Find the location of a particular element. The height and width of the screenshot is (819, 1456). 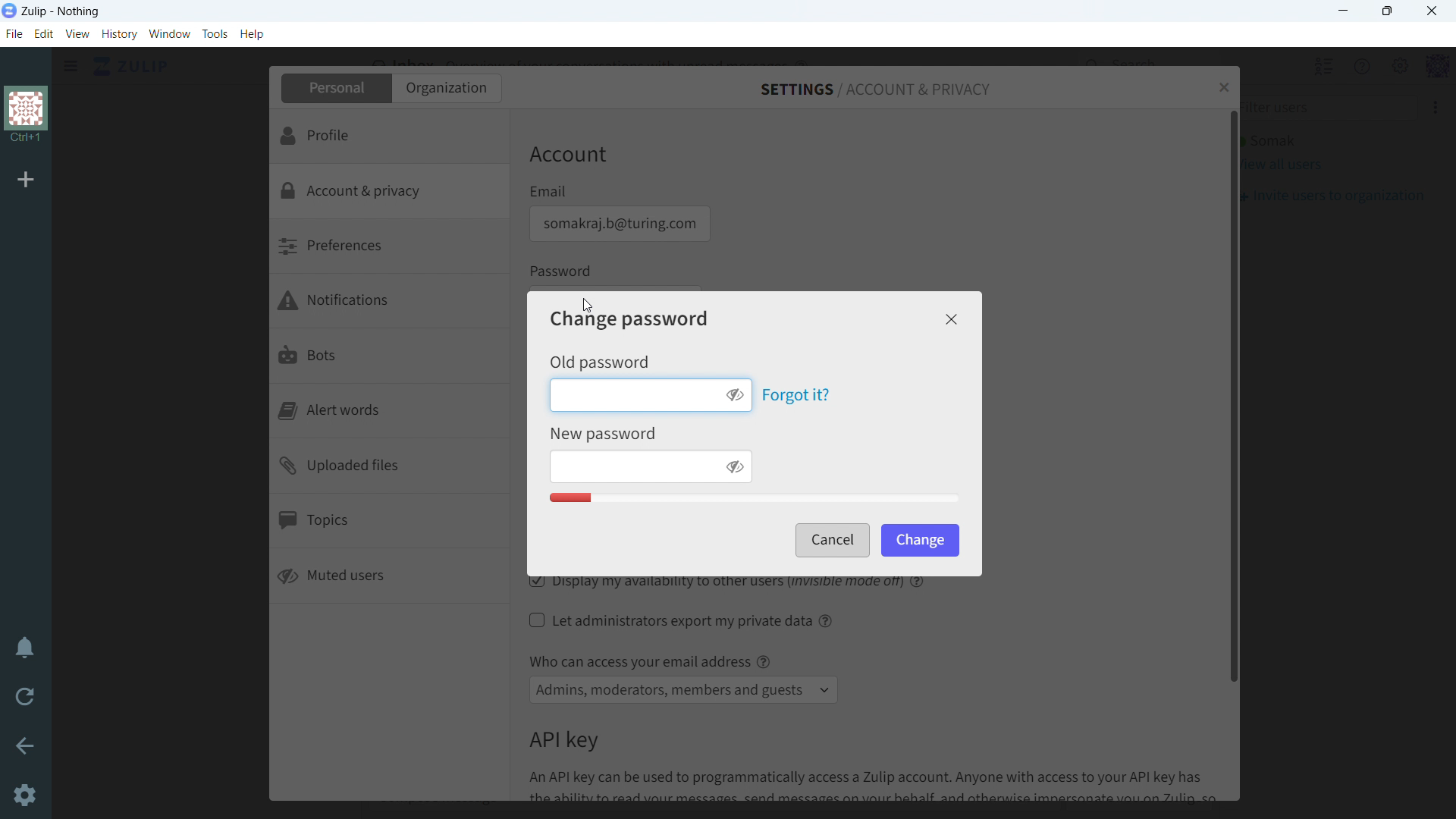

toggle visibility is located at coordinates (733, 395).